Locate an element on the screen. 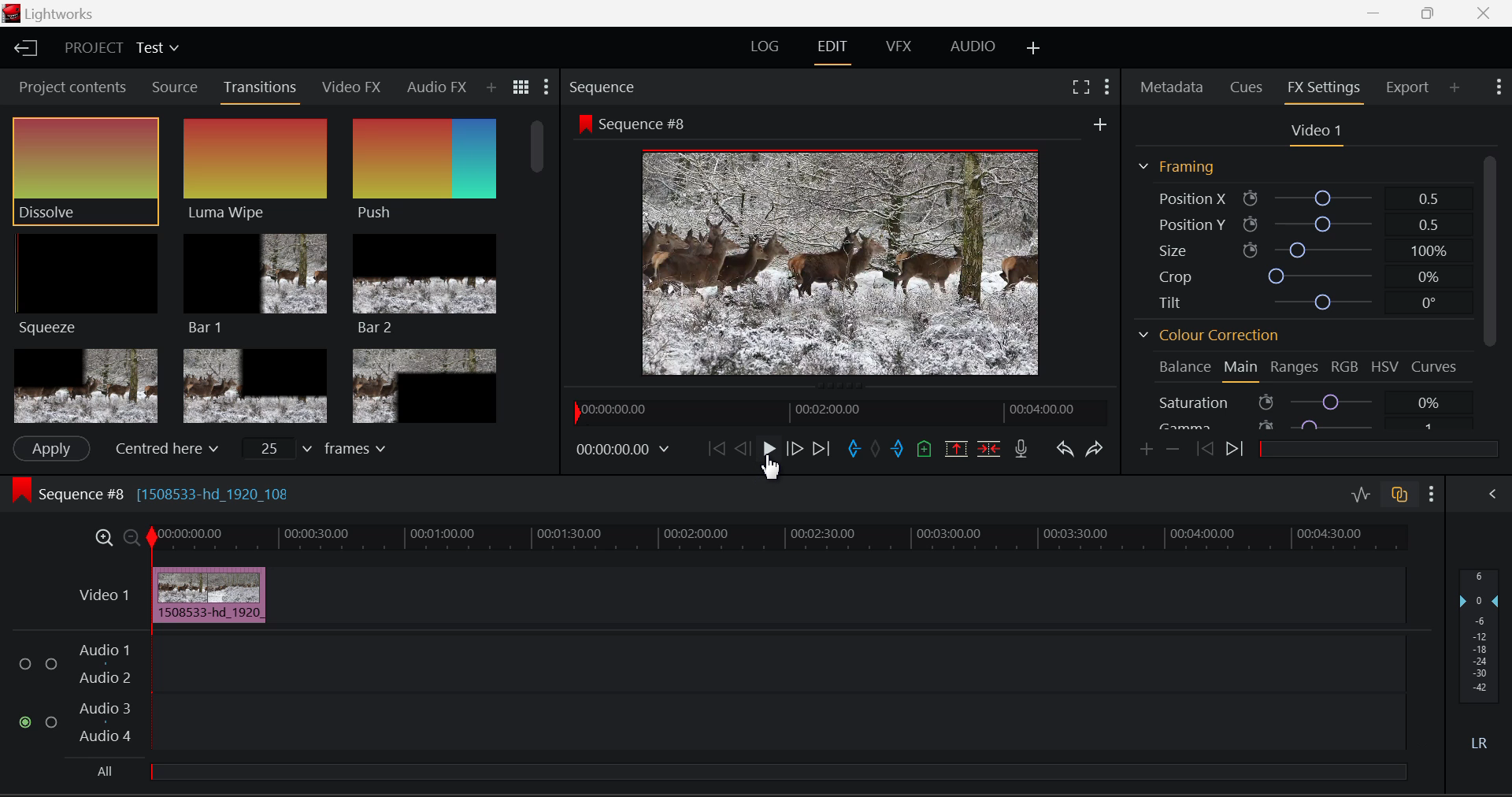 Image resolution: width=1512 pixels, height=797 pixels. Go Forward is located at coordinates (794, 450).